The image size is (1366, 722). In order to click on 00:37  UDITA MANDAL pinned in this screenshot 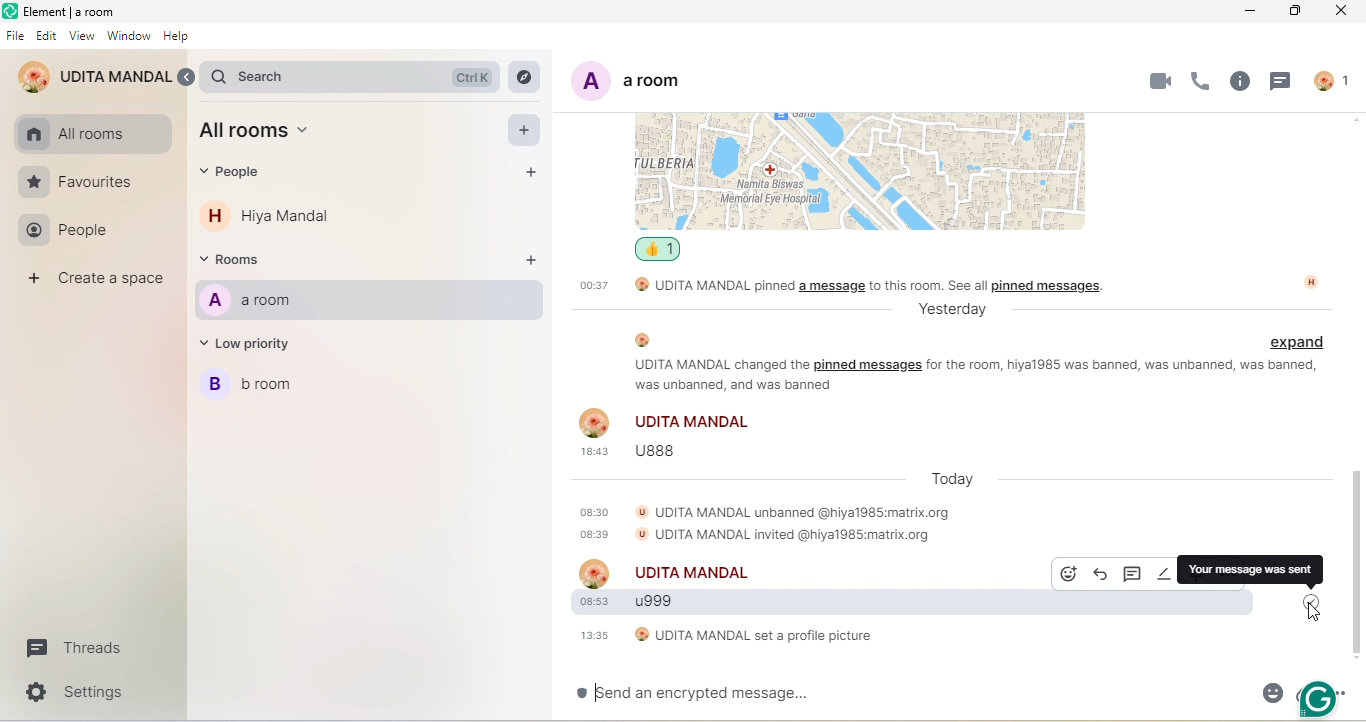, I will do `click(685, 287)`.